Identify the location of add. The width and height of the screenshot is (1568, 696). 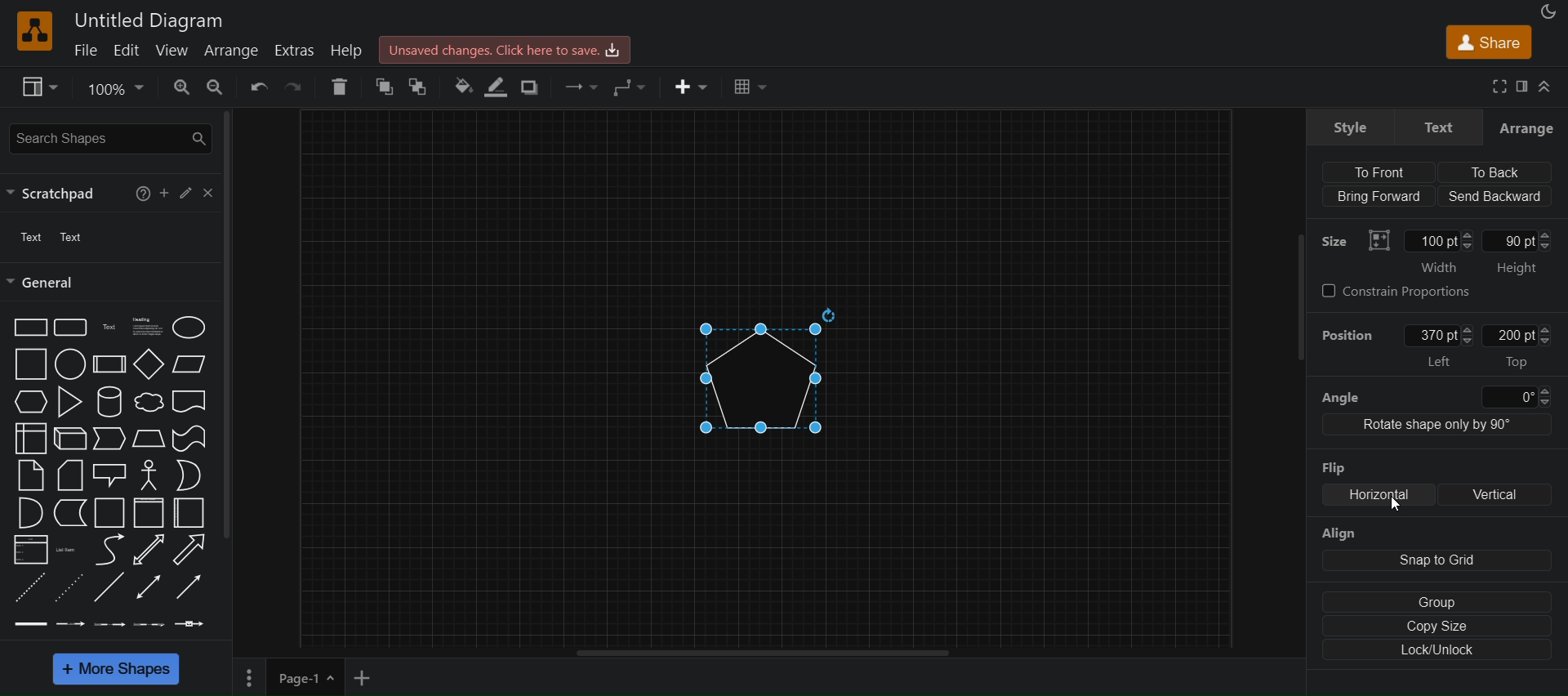
(164, 193).